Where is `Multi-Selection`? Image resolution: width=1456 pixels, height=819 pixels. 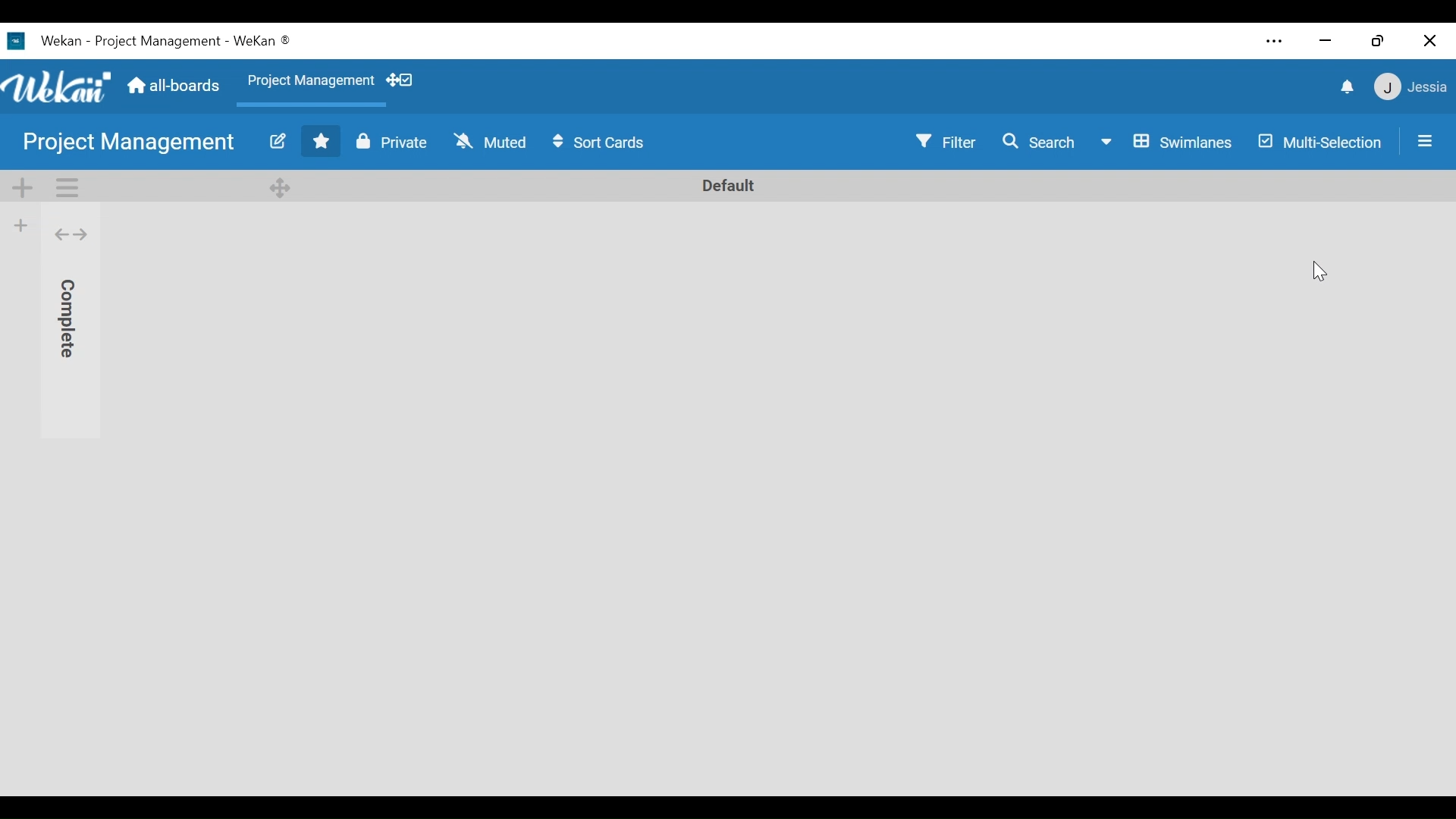 Multi-Selection is located at coordinates (1320, 143).